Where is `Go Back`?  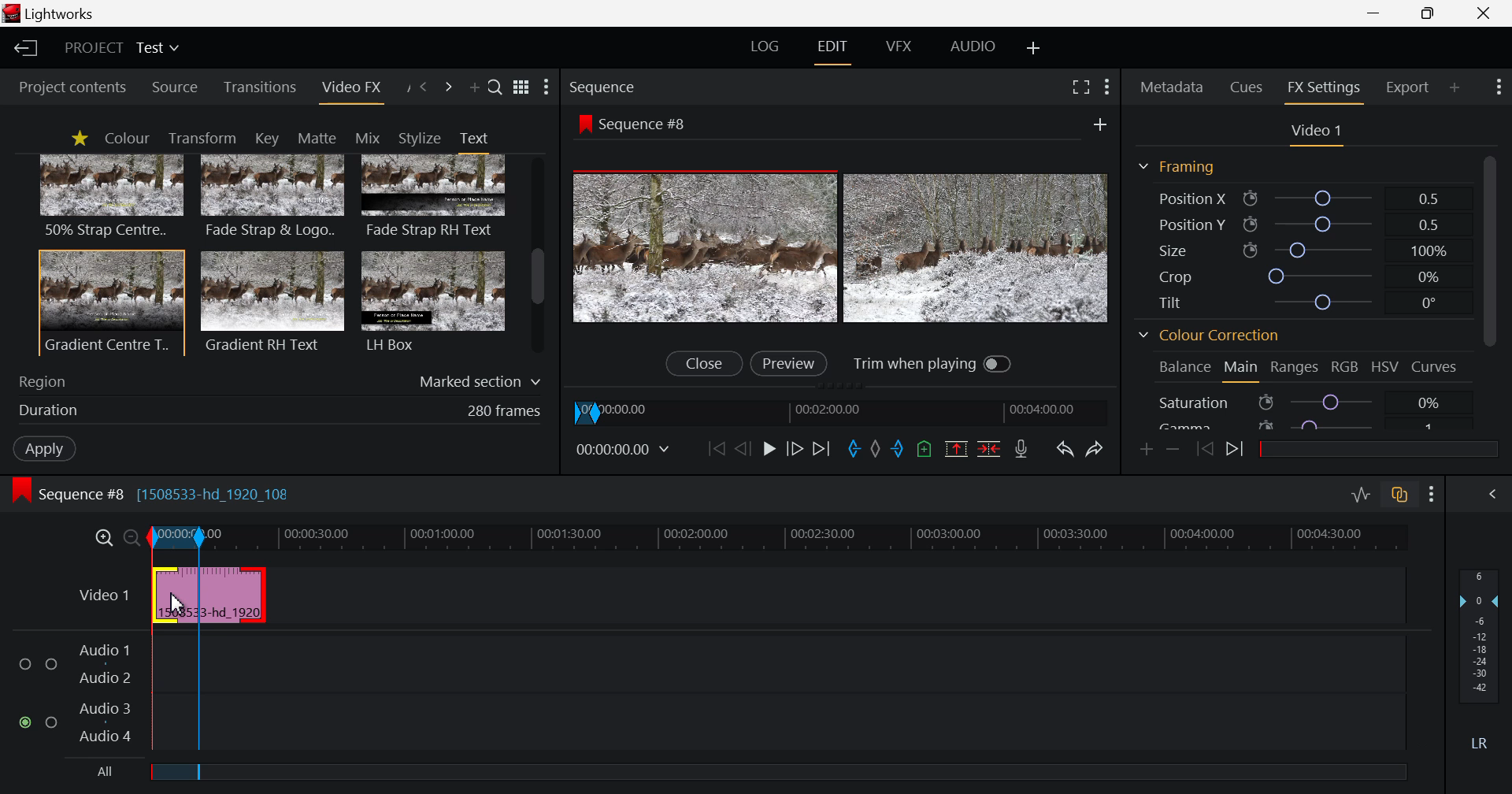 Go Back is located at coordinates (743, 448).